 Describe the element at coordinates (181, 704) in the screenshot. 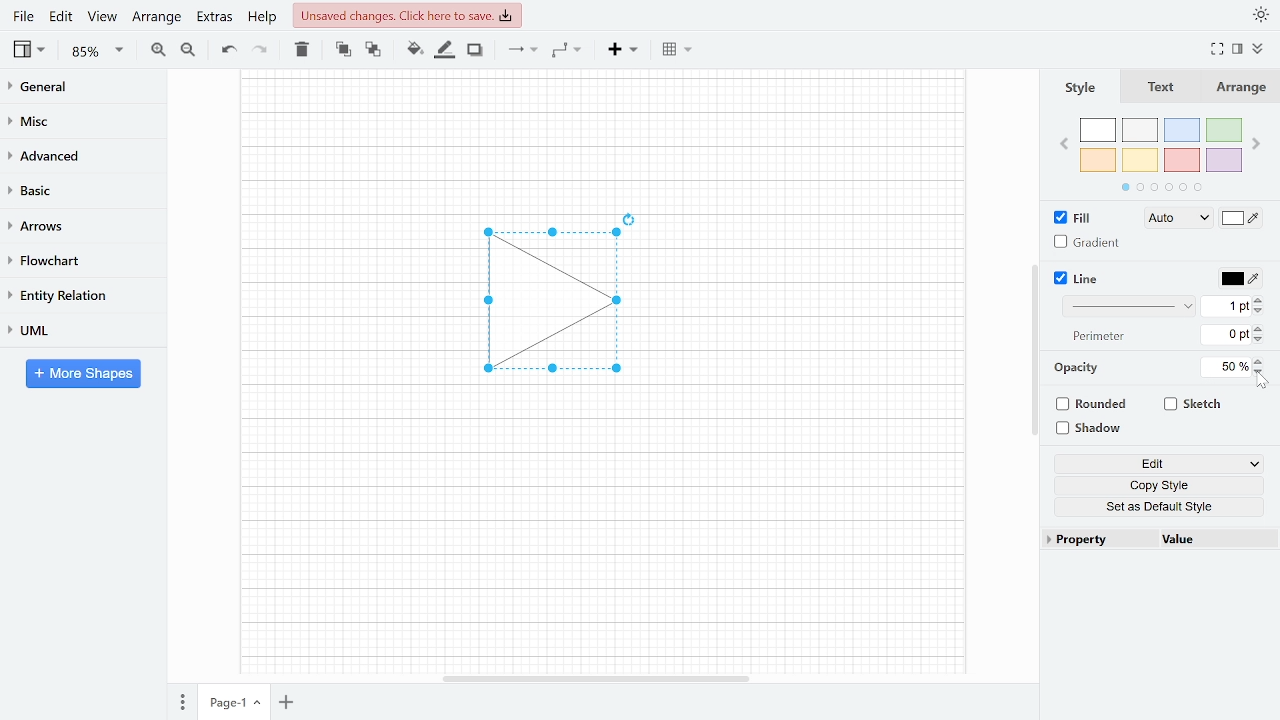

I see `Pages` at that location.